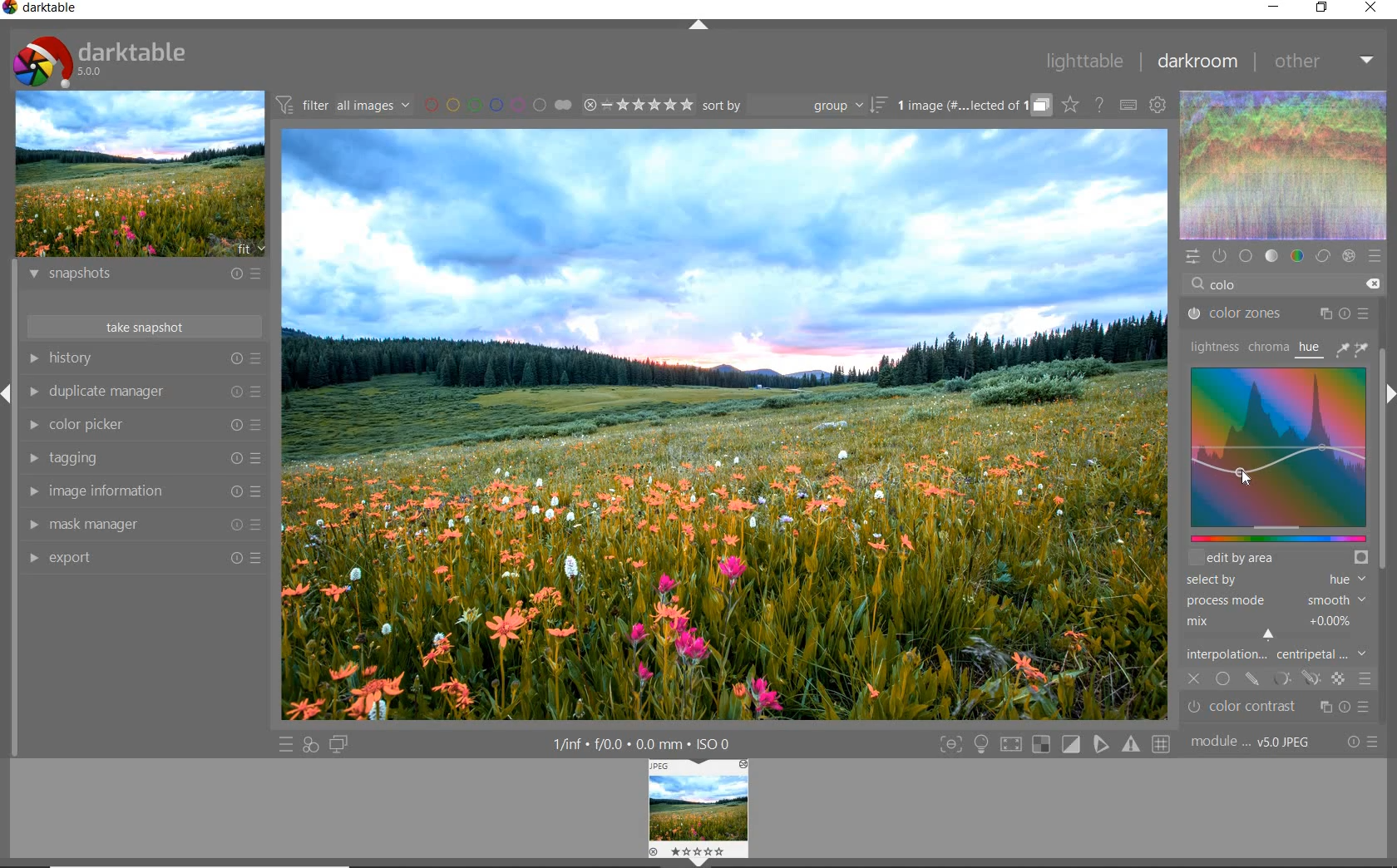  I want to click on COLO, so click(1244, 286).